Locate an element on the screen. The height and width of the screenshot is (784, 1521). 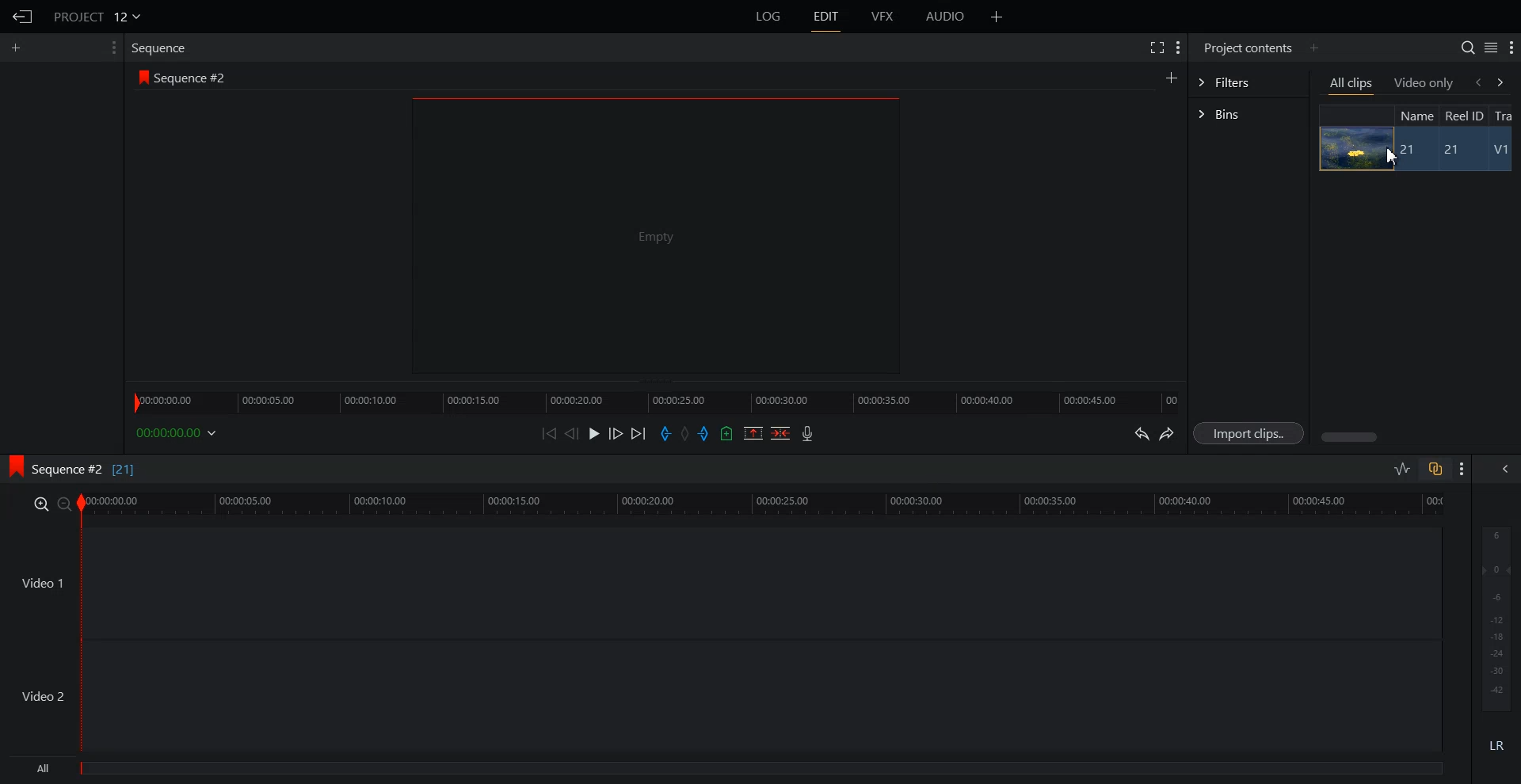
Bins is located at coordinates (1248, 116).